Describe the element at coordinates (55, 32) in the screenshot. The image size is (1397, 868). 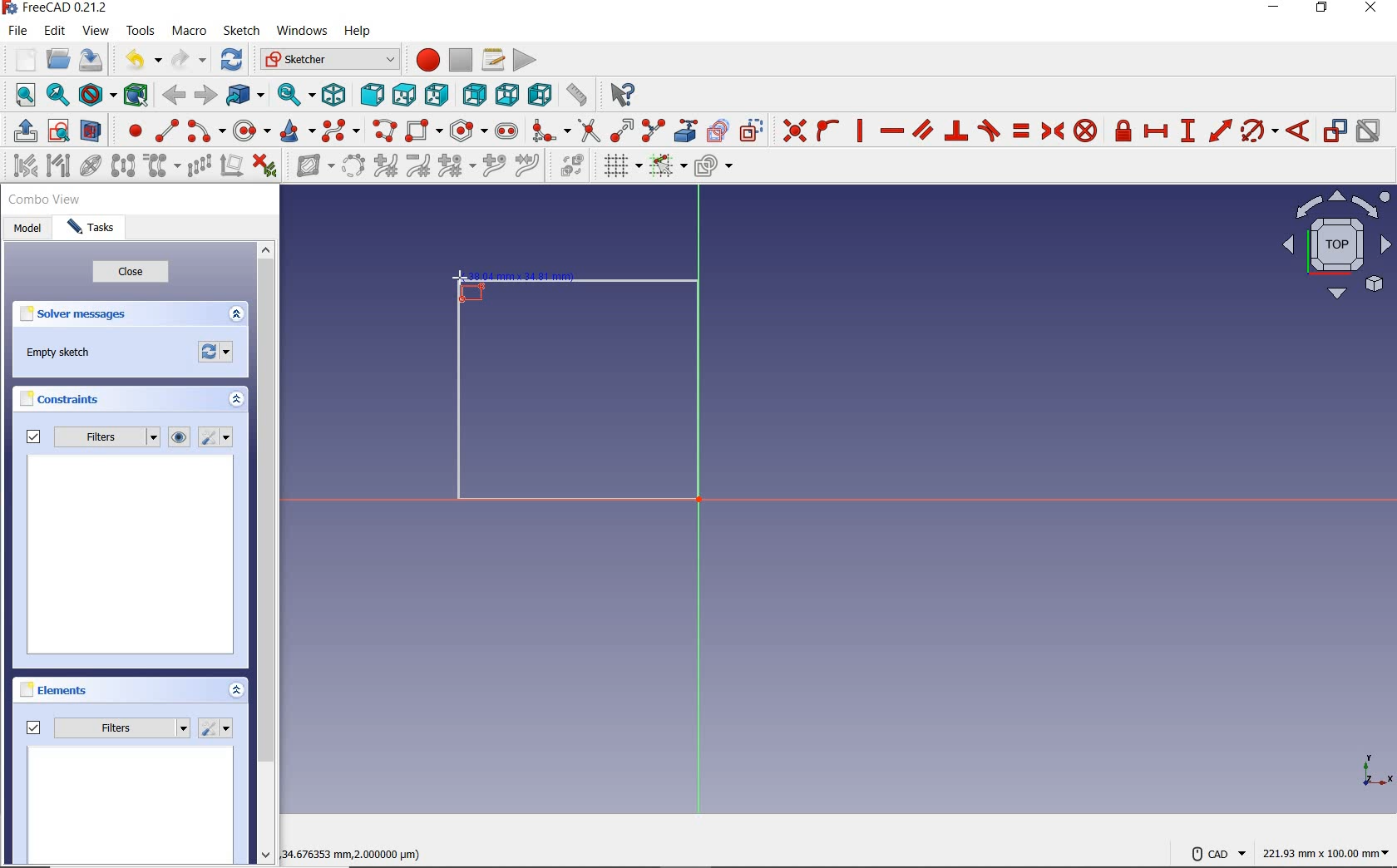
I see `edit` at that location.